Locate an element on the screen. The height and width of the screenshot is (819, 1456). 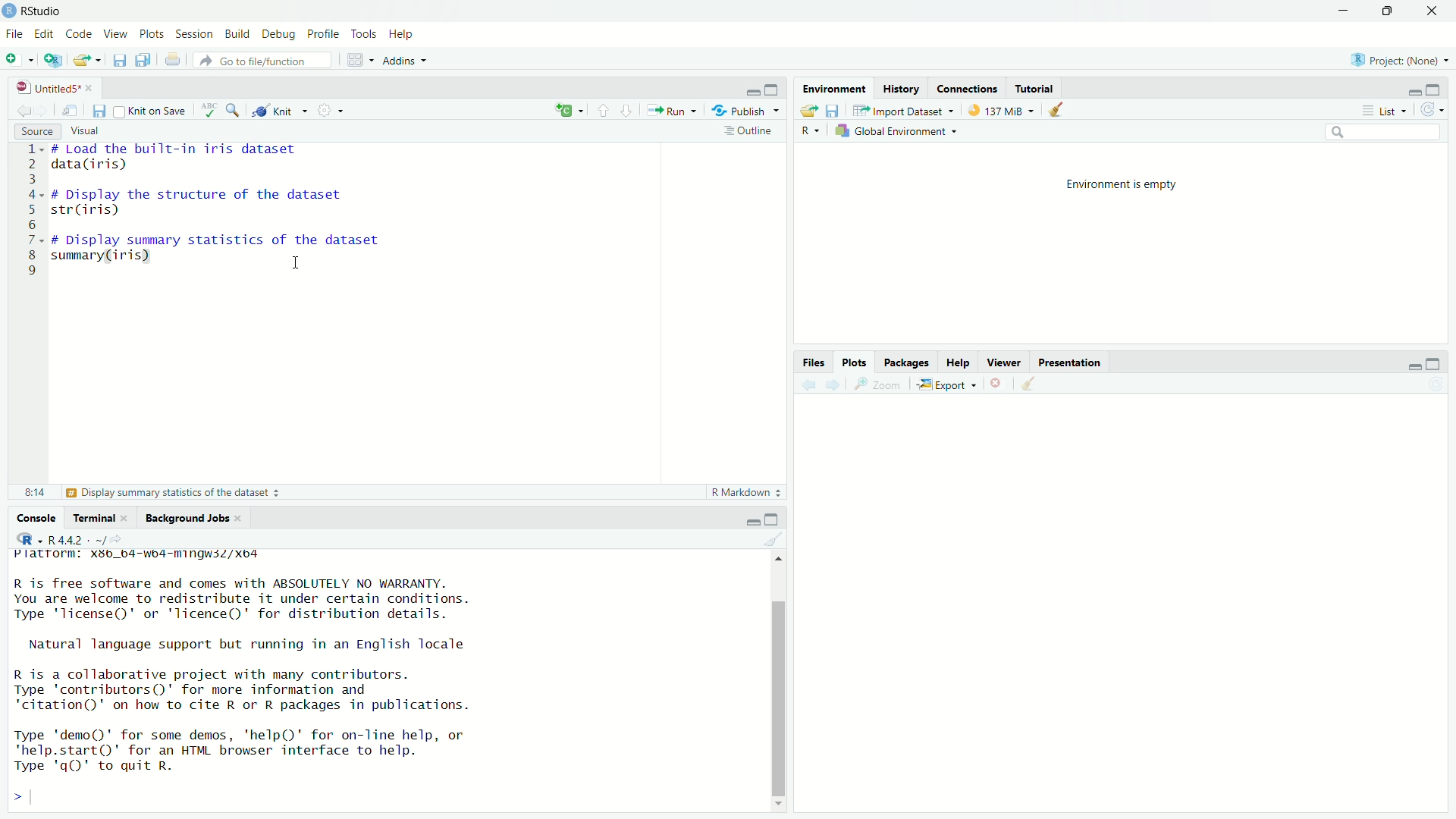
Minimize is located at coordinates (1345, 11).